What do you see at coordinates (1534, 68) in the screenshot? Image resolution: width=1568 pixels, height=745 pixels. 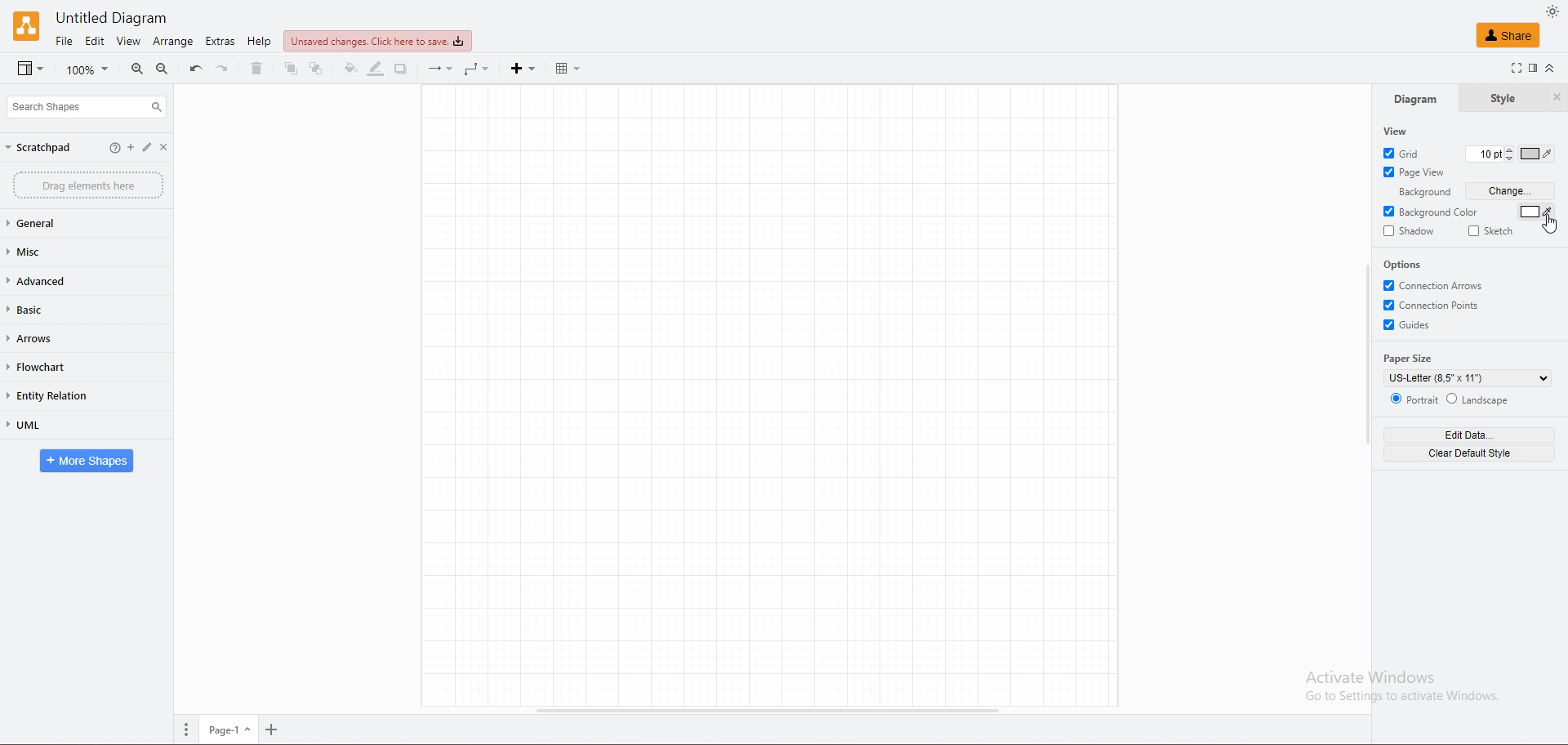 I see `format` at bounding box center [1534, 68].